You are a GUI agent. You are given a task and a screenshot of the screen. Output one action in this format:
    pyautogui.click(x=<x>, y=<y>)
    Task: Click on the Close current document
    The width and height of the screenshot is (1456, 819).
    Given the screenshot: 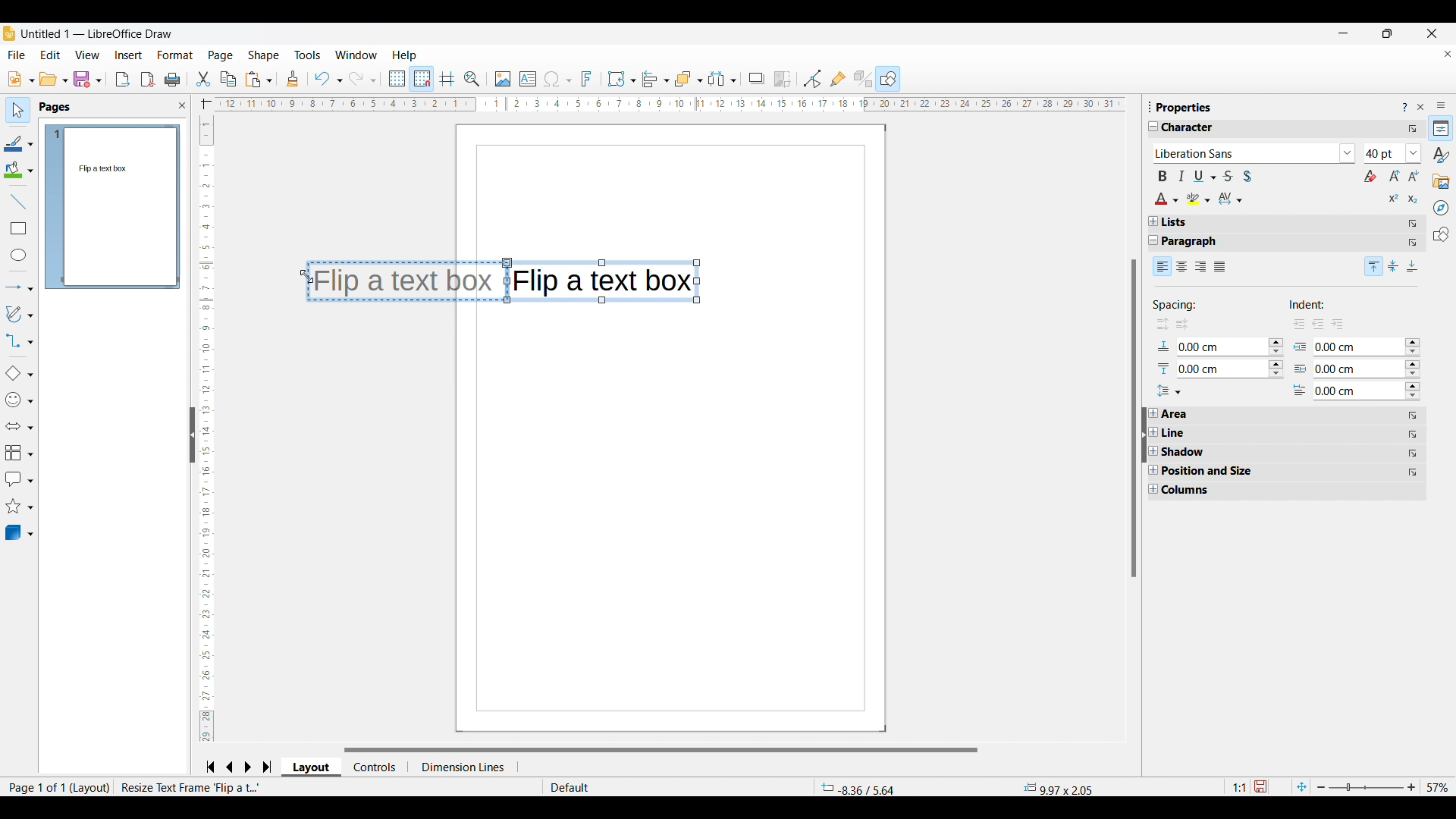 What is the action you would take?
    pyautogui.click(x=1448, y=54)
    